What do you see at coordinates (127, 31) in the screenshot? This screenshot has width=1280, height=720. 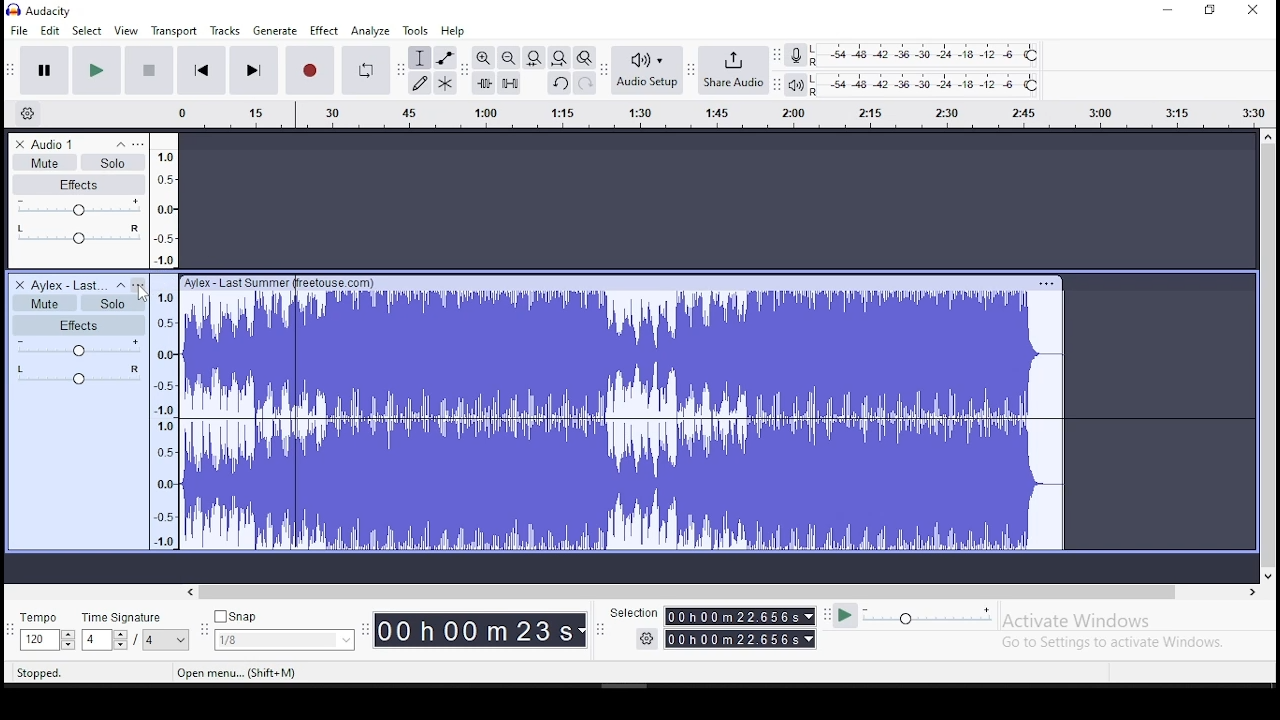 I see `view` at bounding box center [127, 31].